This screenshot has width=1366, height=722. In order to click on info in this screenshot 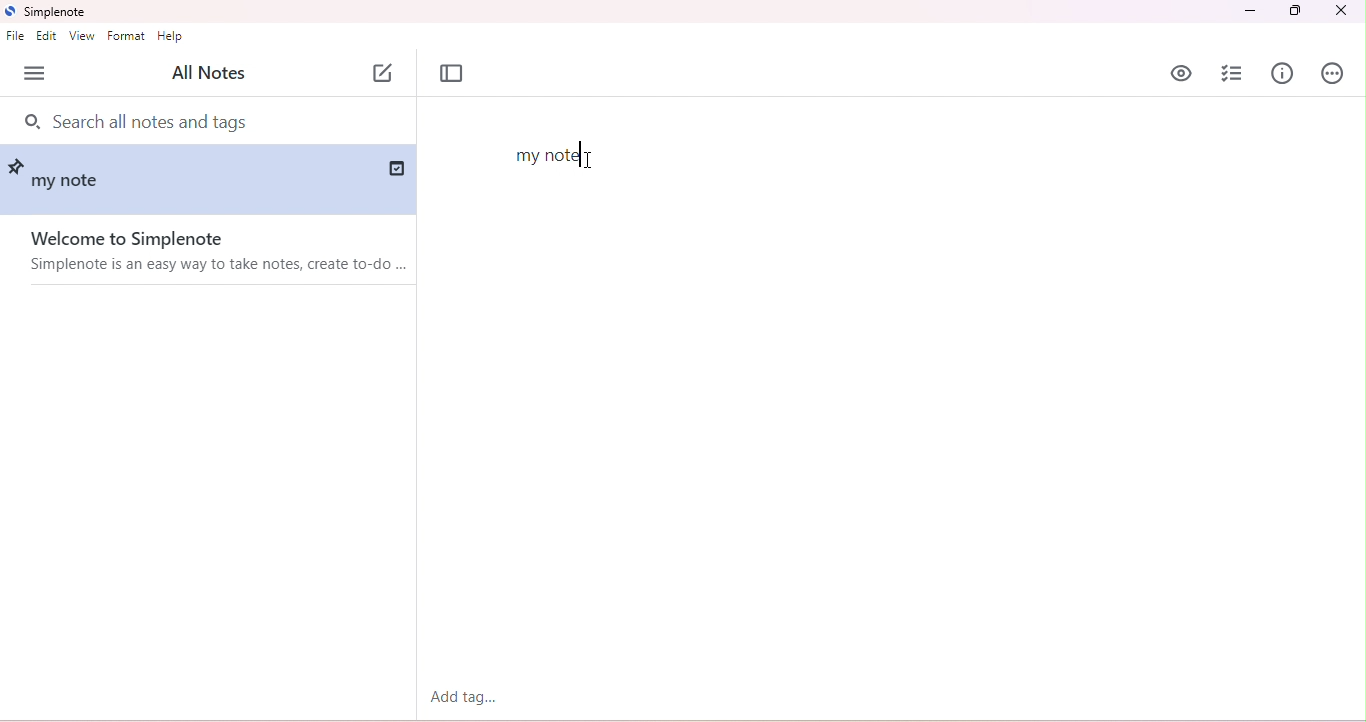, I will do `click(1283, 72)`.